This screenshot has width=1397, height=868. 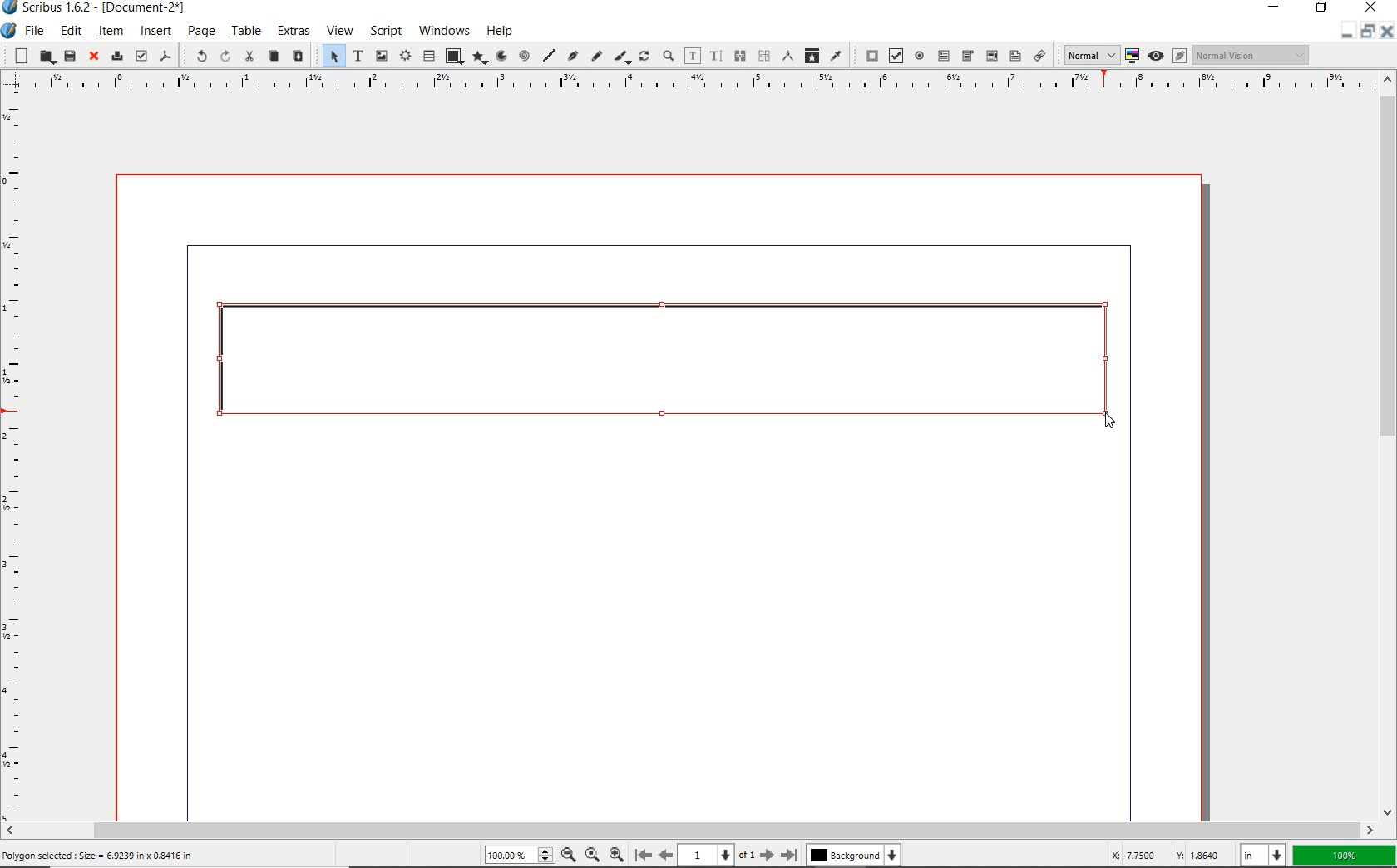 I want to click on pdf check box, so click(x=893, y=55).